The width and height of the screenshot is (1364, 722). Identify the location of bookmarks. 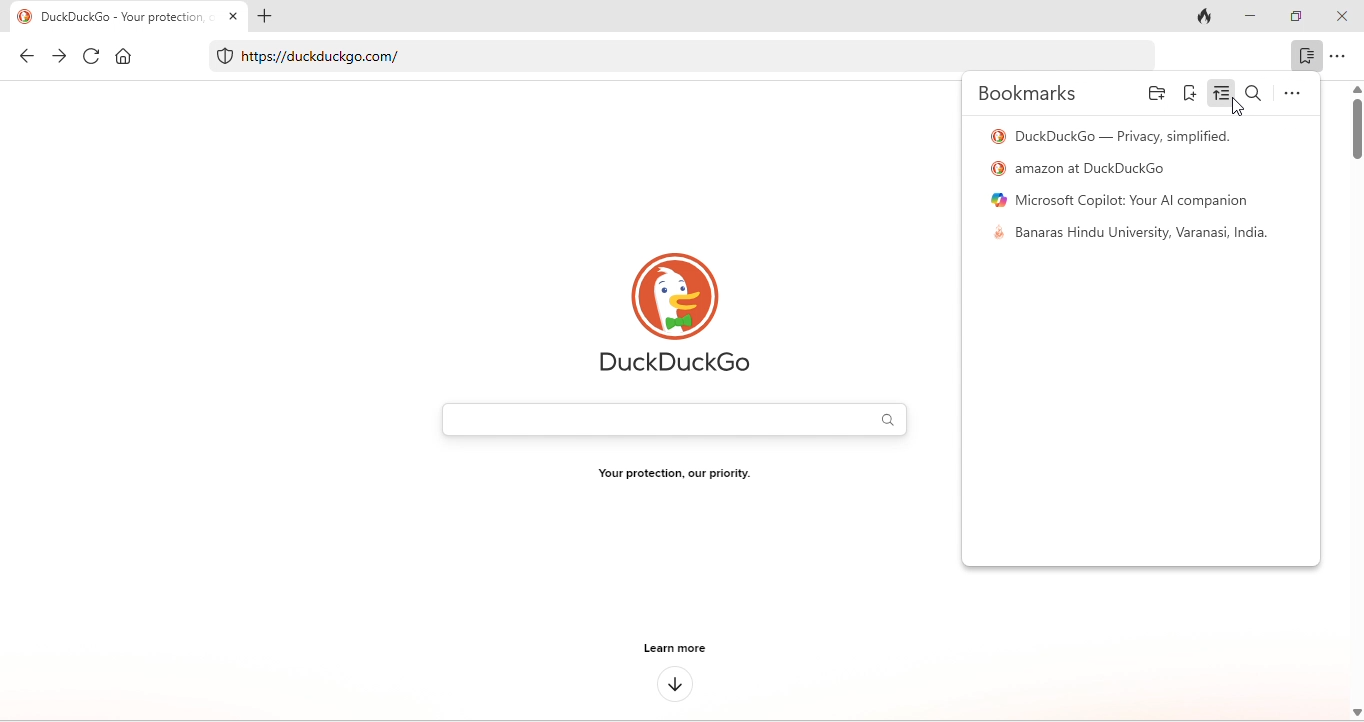
(1031, 96).